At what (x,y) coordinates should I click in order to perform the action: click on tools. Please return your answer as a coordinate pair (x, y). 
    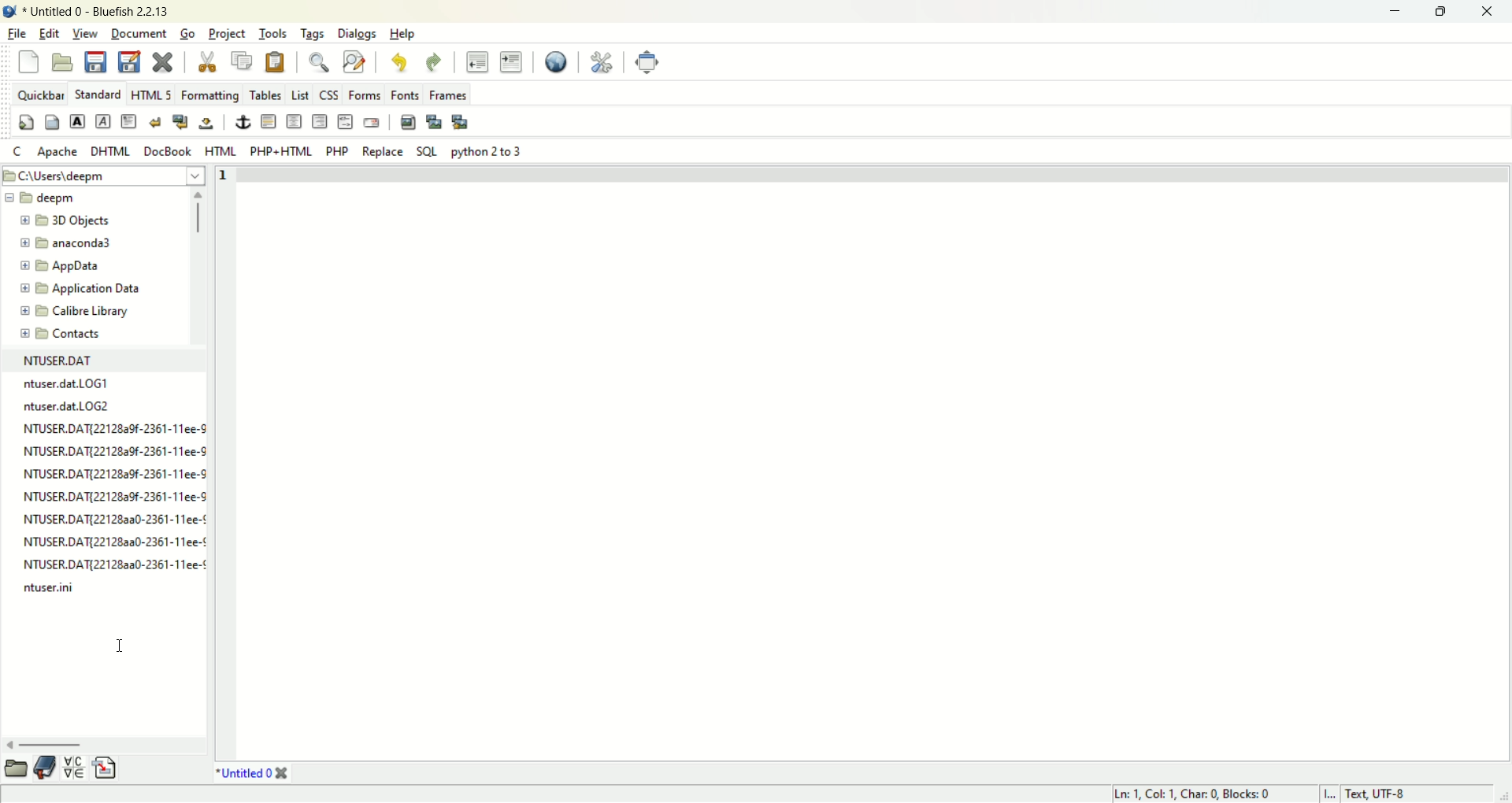
    Looking at the image, I should click on (272, 35).